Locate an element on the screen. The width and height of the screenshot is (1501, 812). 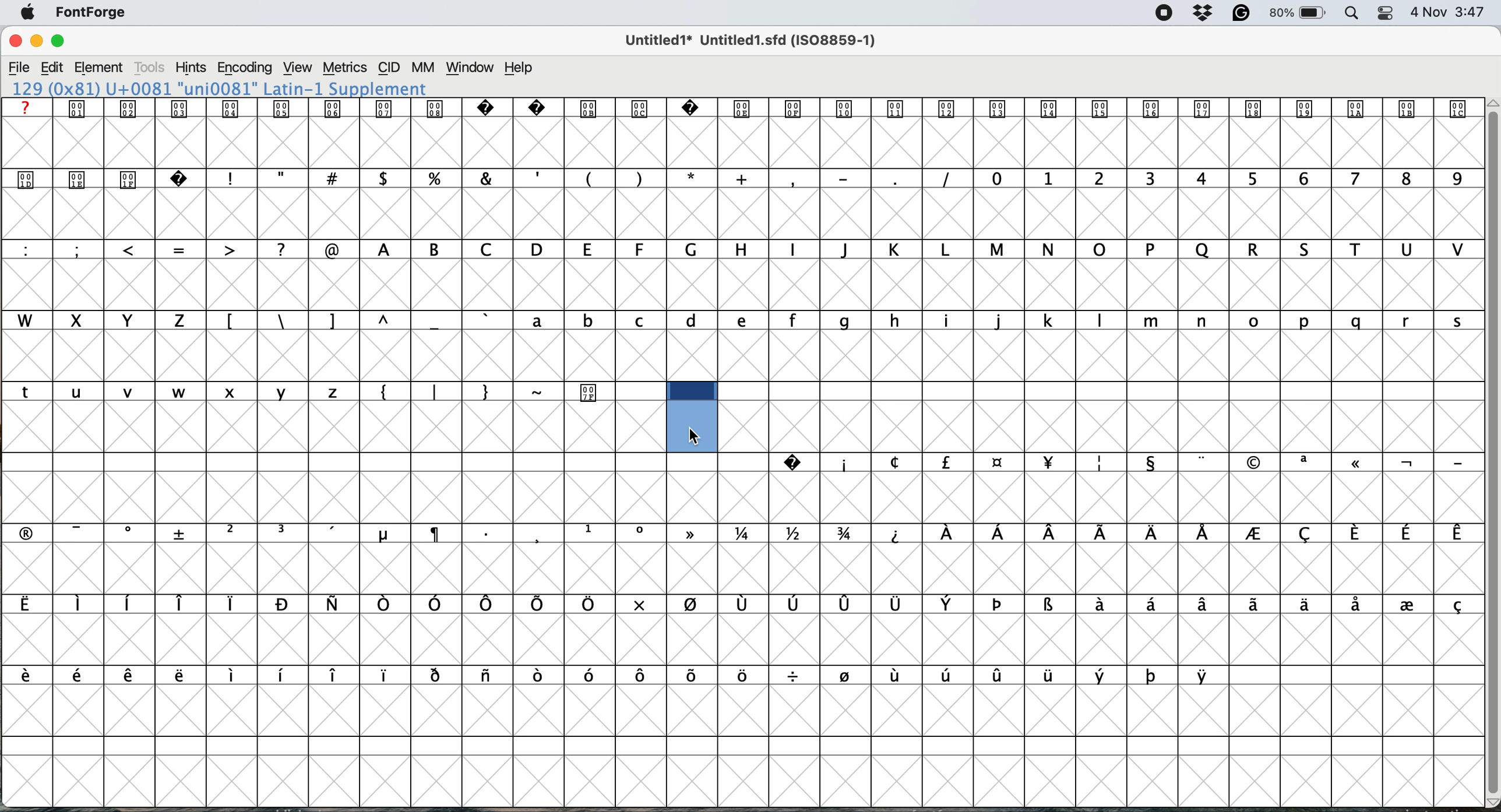
3:47 is located at coordinates (1469, 13).